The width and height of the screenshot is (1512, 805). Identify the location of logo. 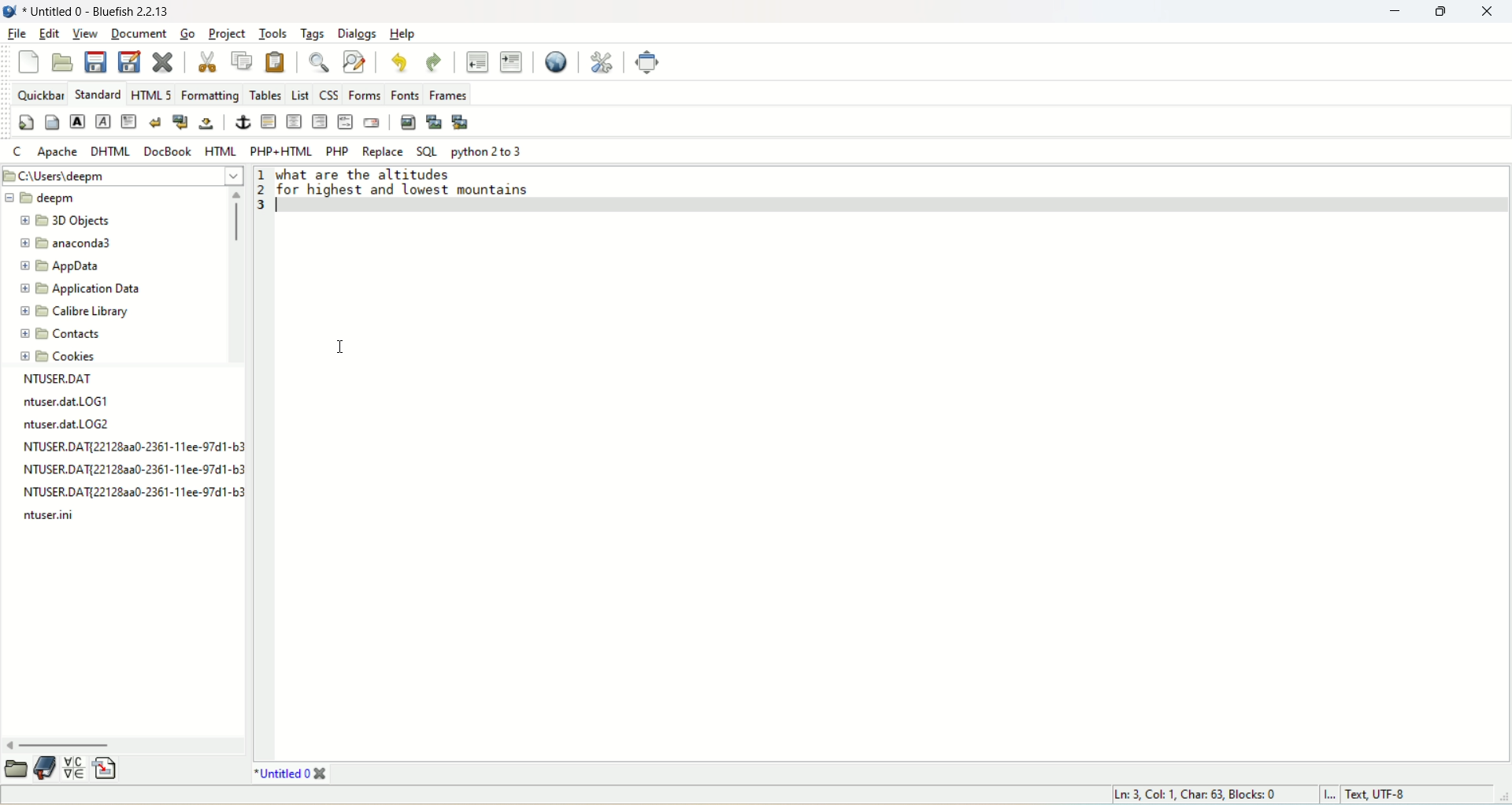
(9, 10).